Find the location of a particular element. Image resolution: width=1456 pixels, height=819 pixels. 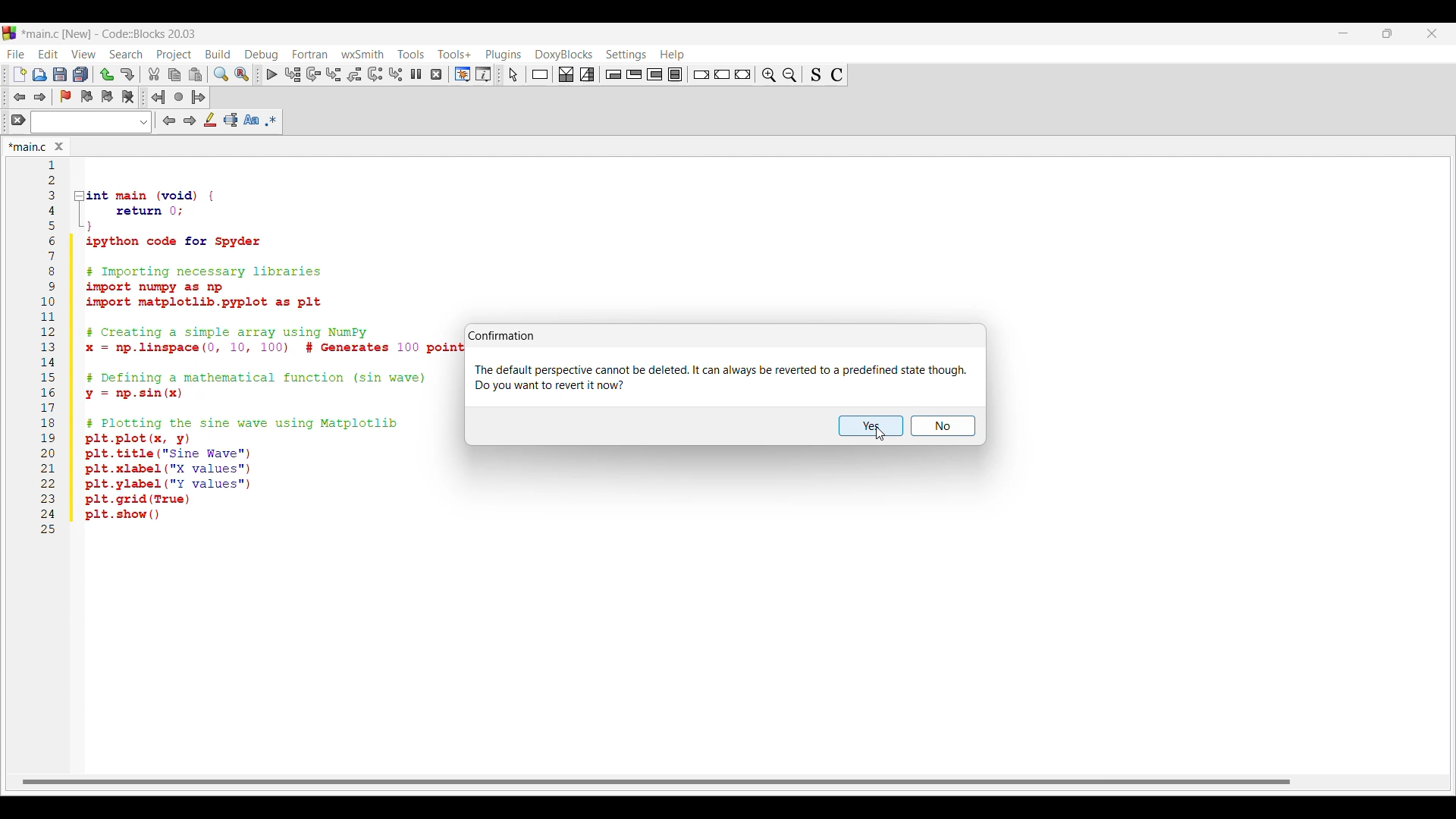

Exit condition loop is located at coordinates (635, 74).